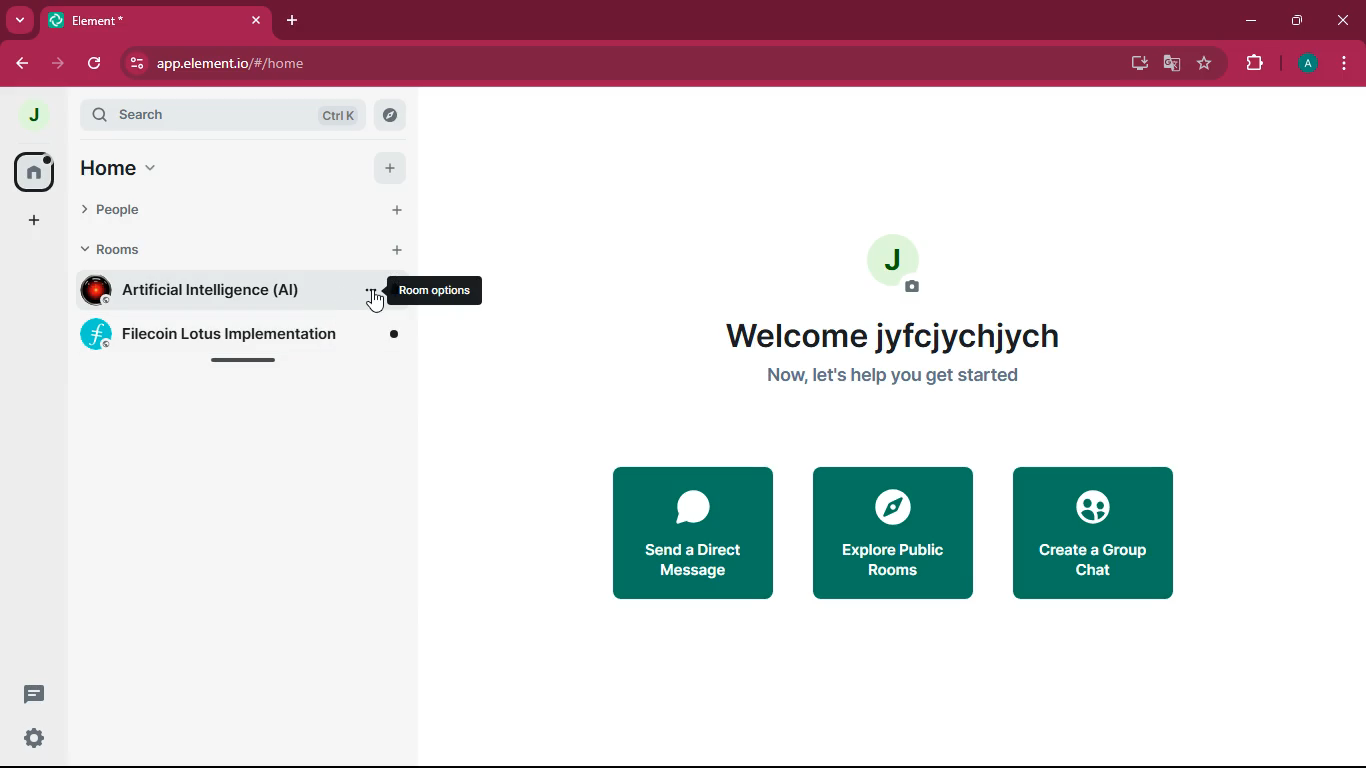 Image resolution: width=1366 pixels, height=768 pixels. I want to click on welcome, so click(892, 335).